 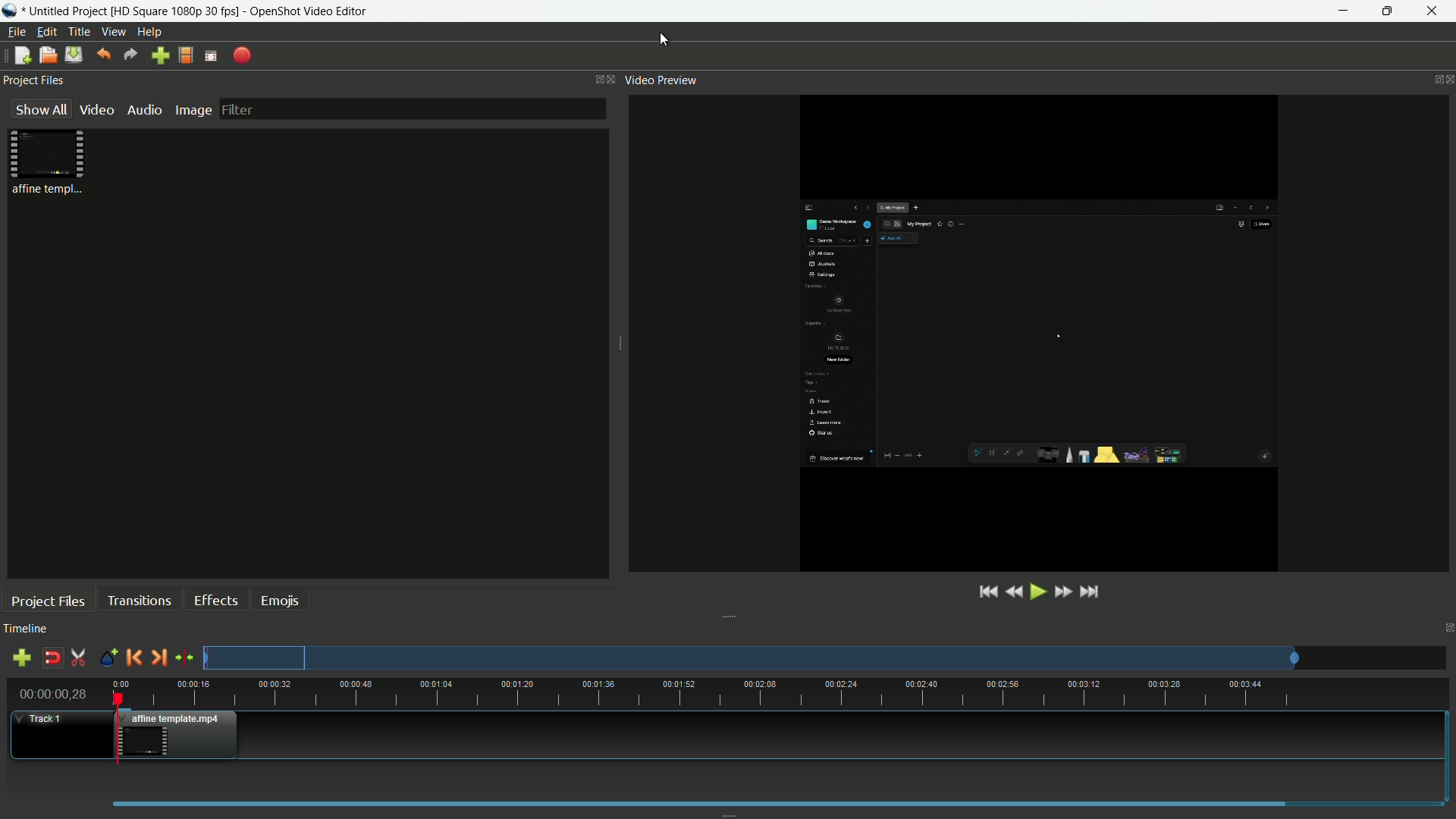 What do you see at coordinates (149, 32) in the screenshot?
I see `help menu` at bounding box center [149, 32].